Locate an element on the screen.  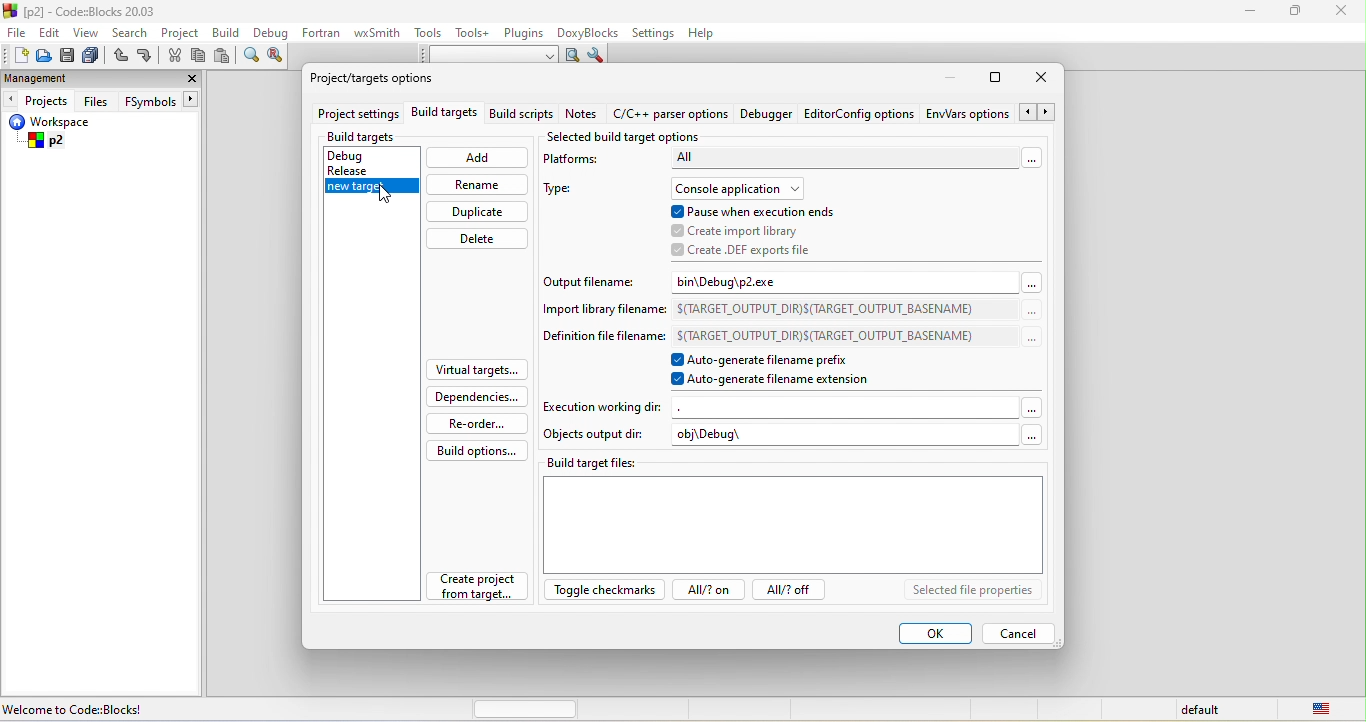
all? off is located at coordinates (793, 592).